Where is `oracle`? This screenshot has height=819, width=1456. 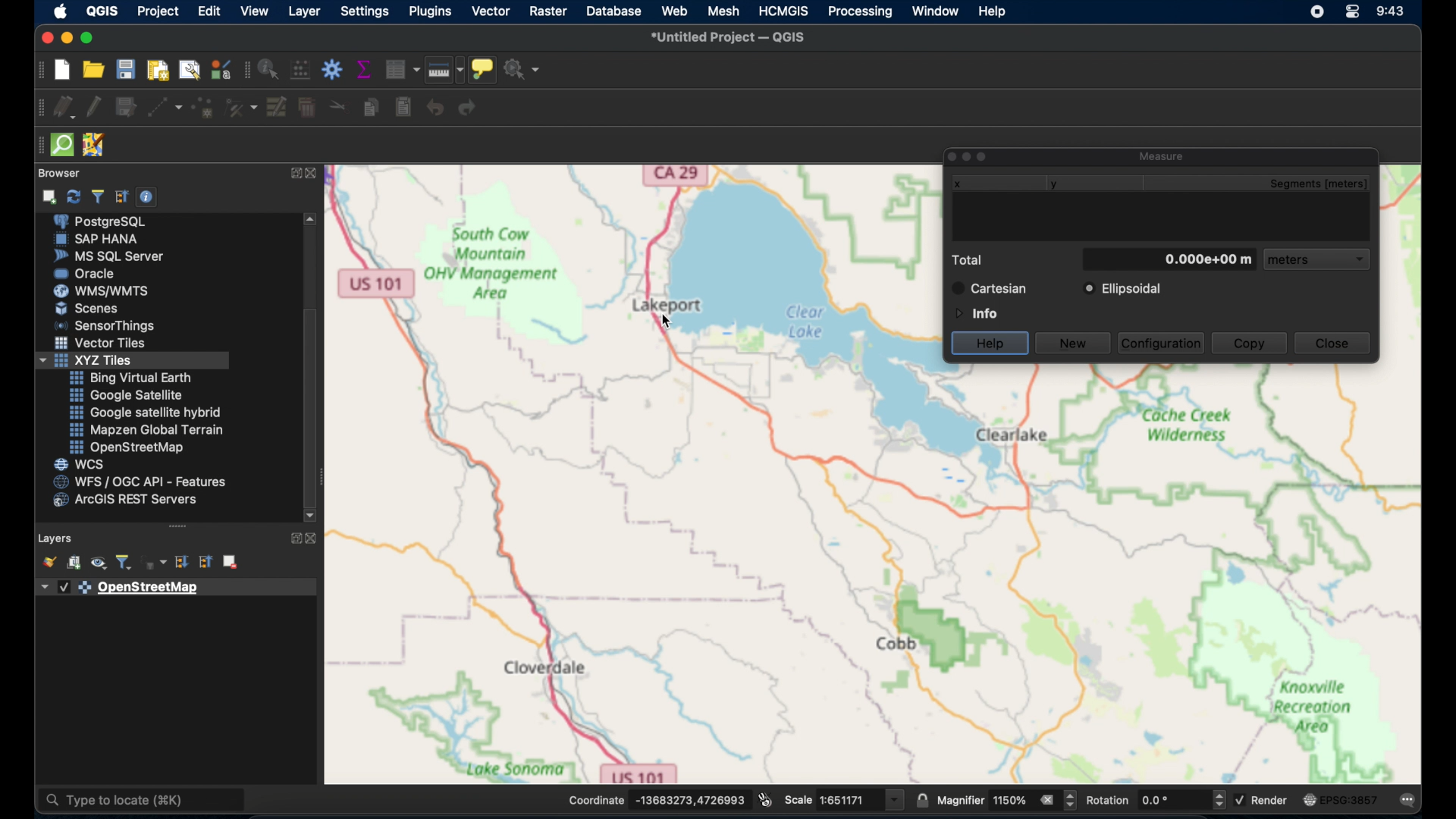 oracle is located at coordinates (88, 273).